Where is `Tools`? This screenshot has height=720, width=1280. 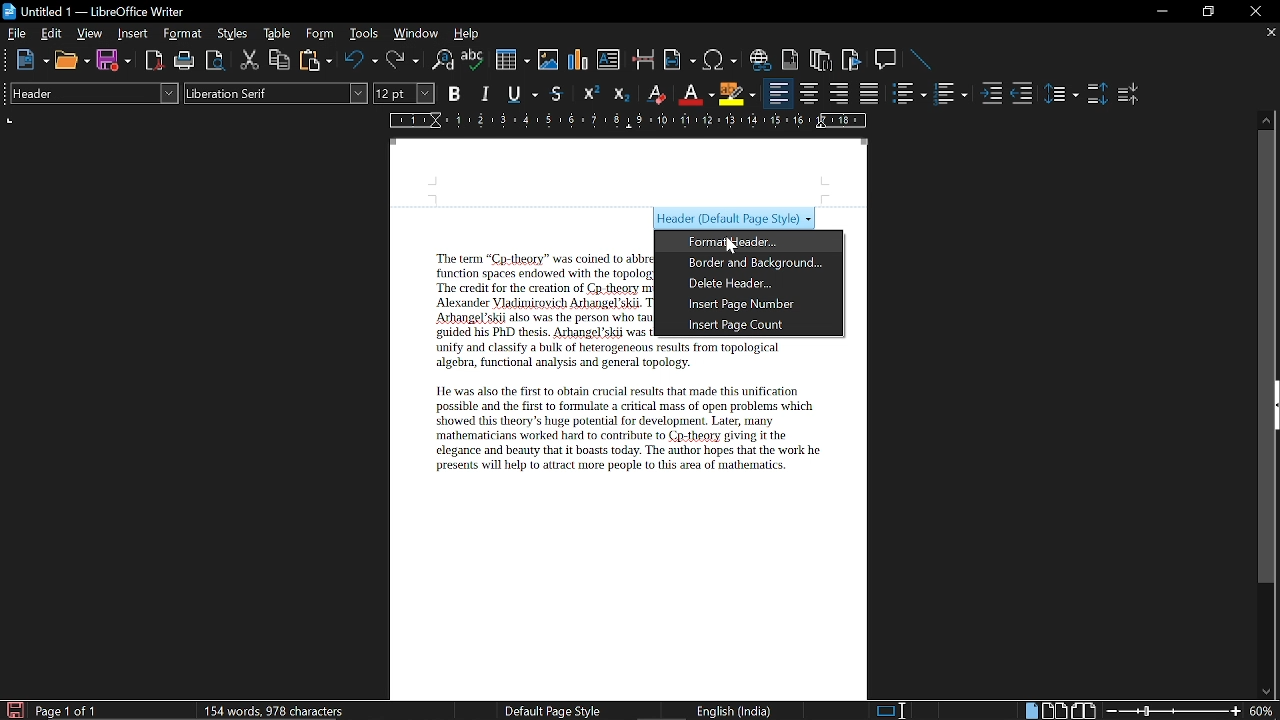 Tools is located at coordinates (364, 34).